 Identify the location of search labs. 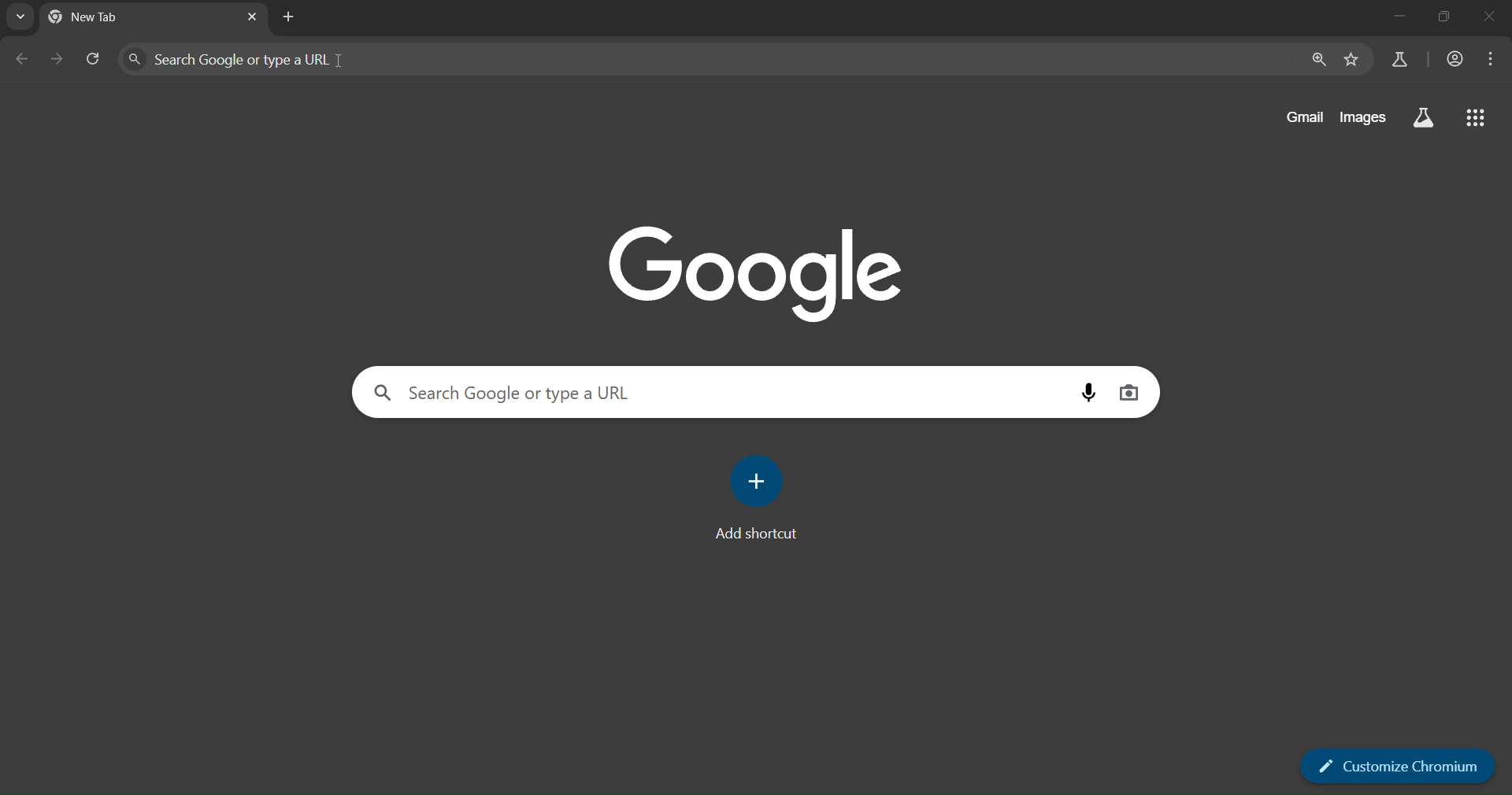
(1424, 117).